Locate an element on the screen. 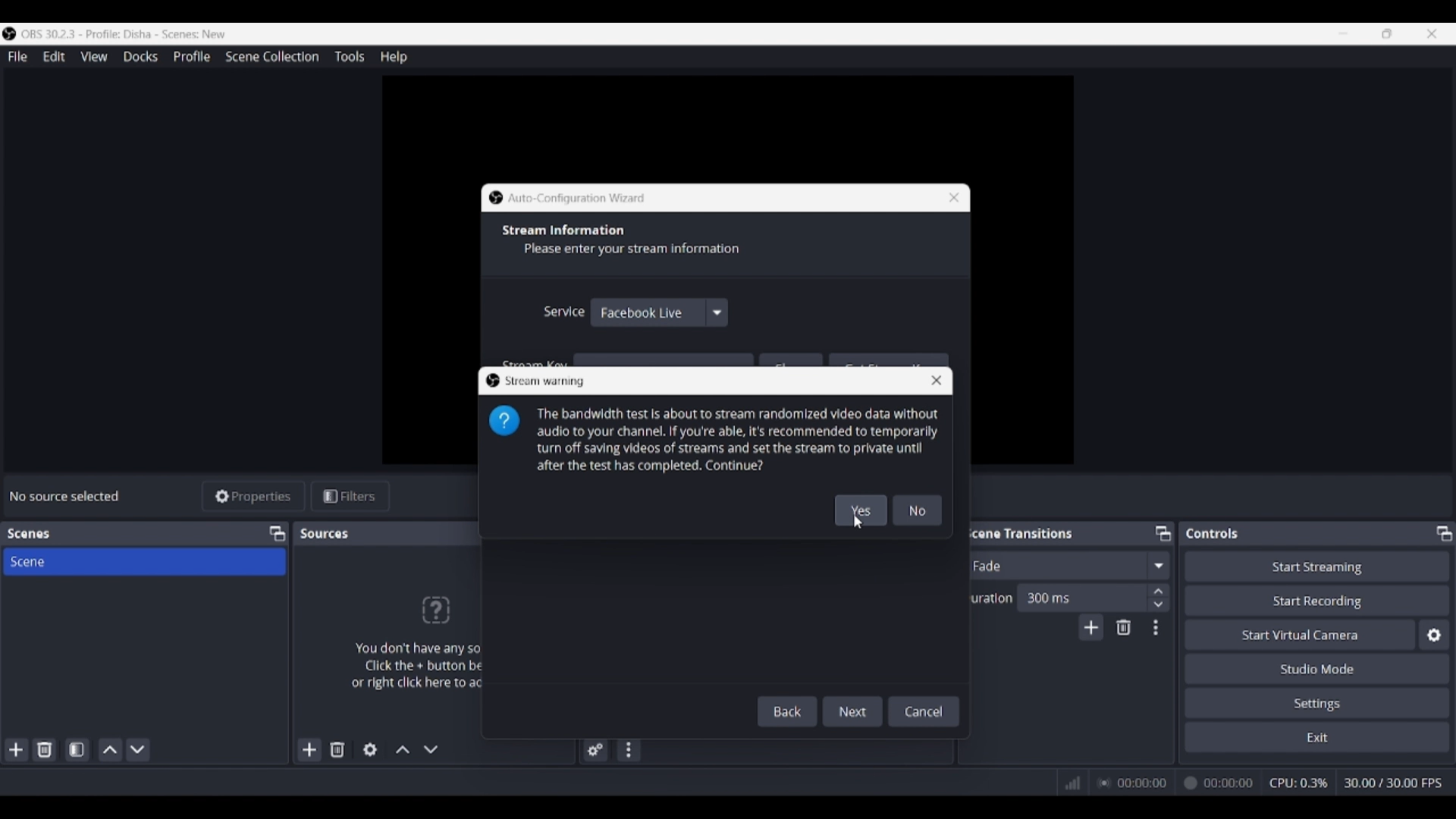 This screenshot has width=1456, height=819. Transition properties is located at coordinates (1156, 628).